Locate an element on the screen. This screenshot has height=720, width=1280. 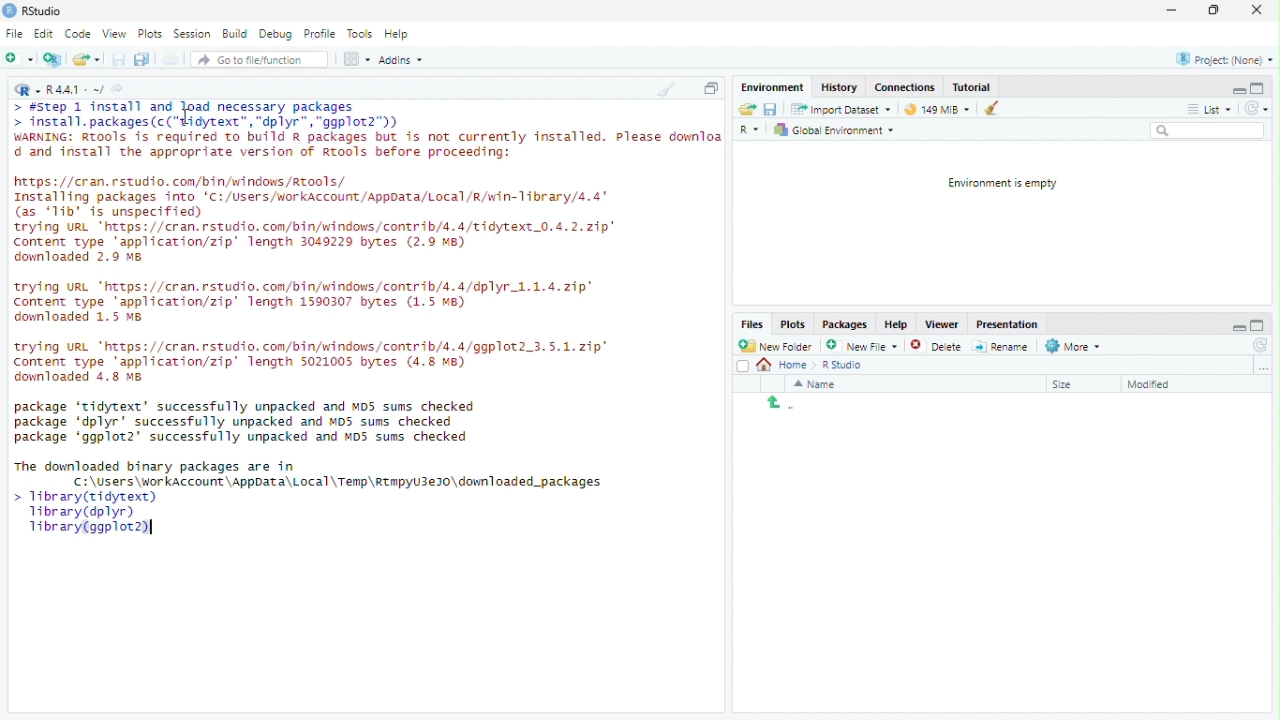
Viewer is located at coordinates (941, 325).